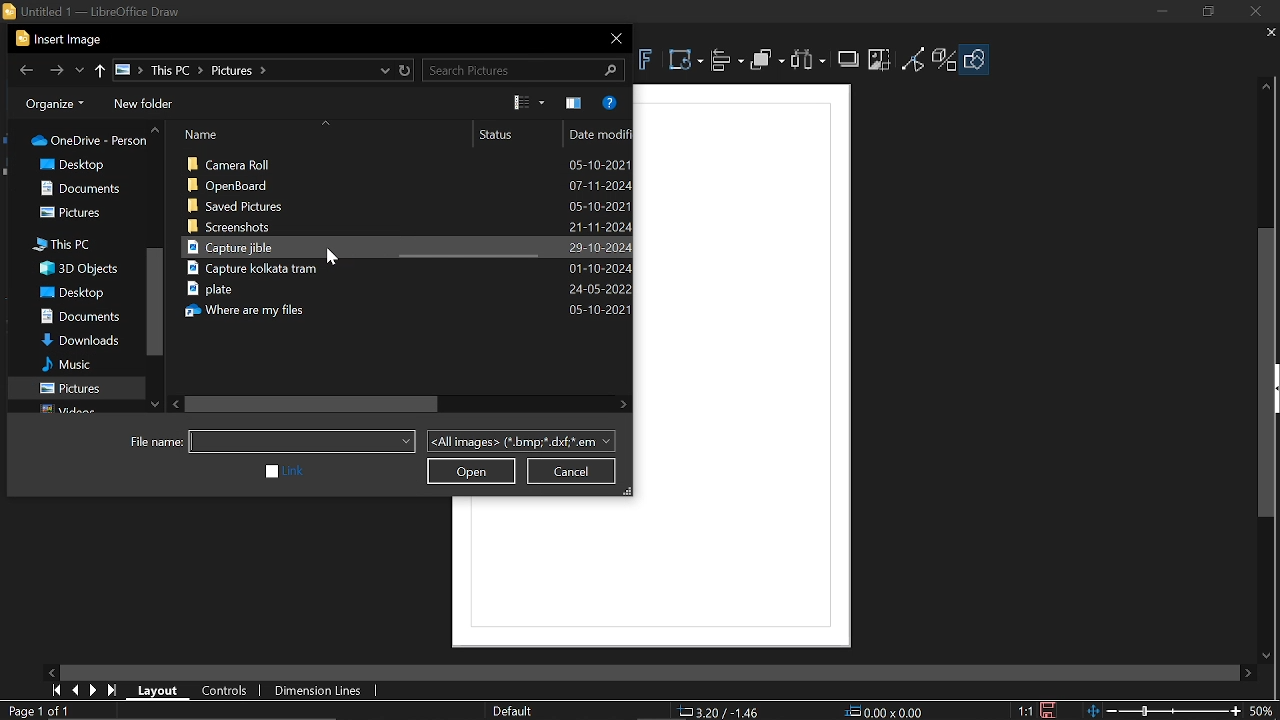 The image size is (1280, 720). Describe the element at coordinates (156, 405) in the screenshot. I see `Move down in folders` at that location.